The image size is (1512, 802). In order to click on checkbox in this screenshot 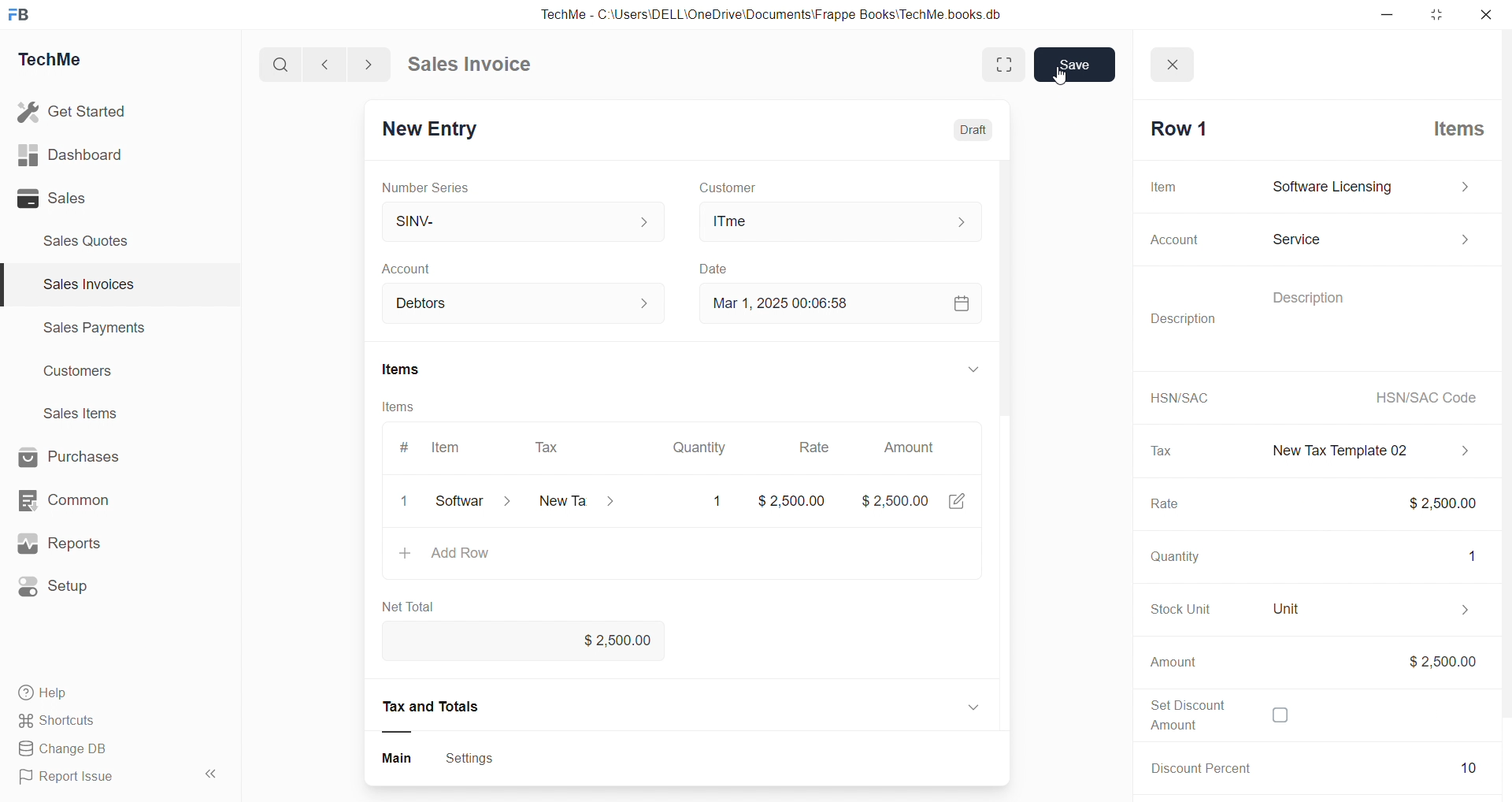, I will do `click(1279, 717)`.